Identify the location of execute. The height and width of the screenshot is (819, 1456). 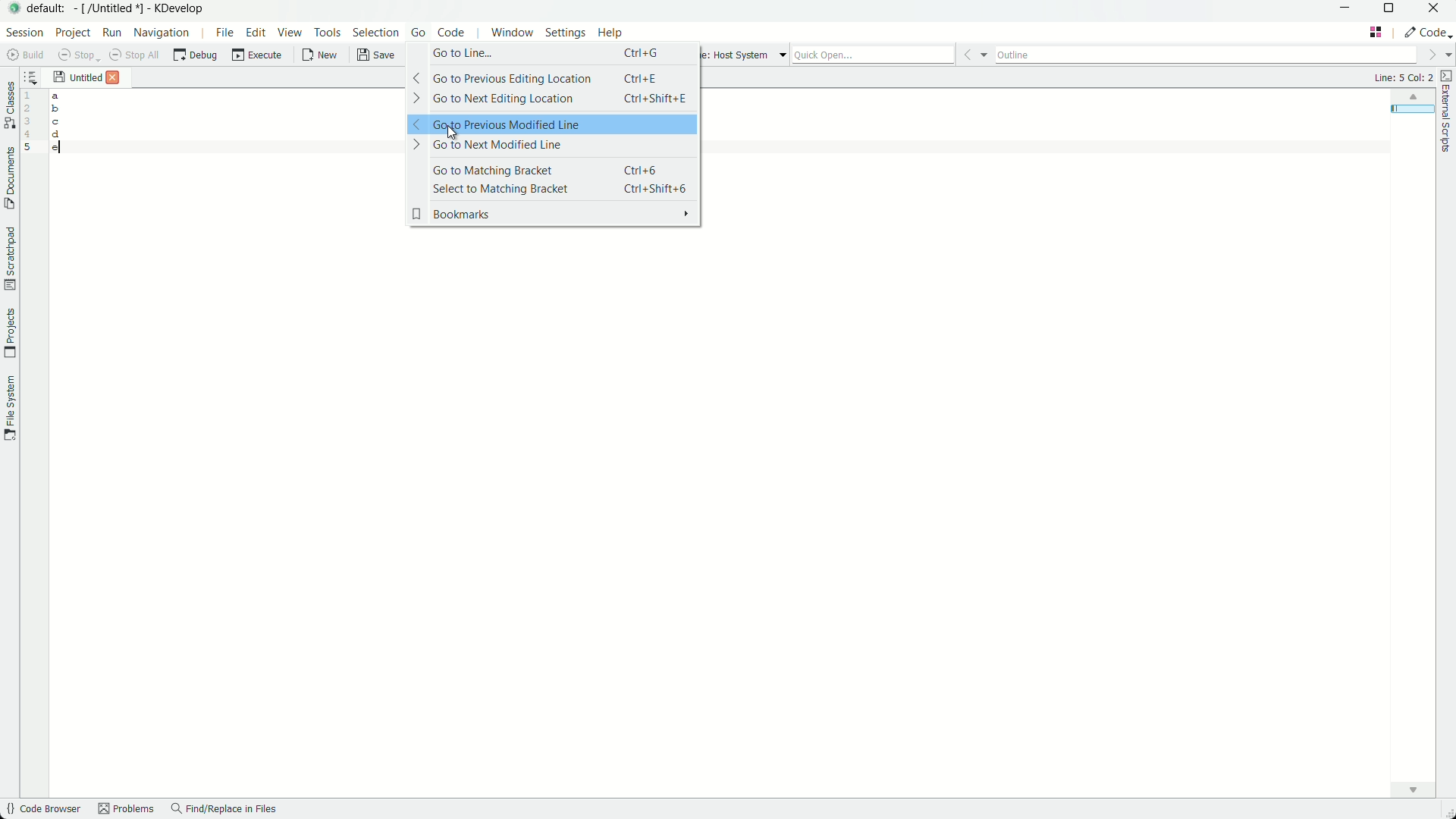
(259, 57).